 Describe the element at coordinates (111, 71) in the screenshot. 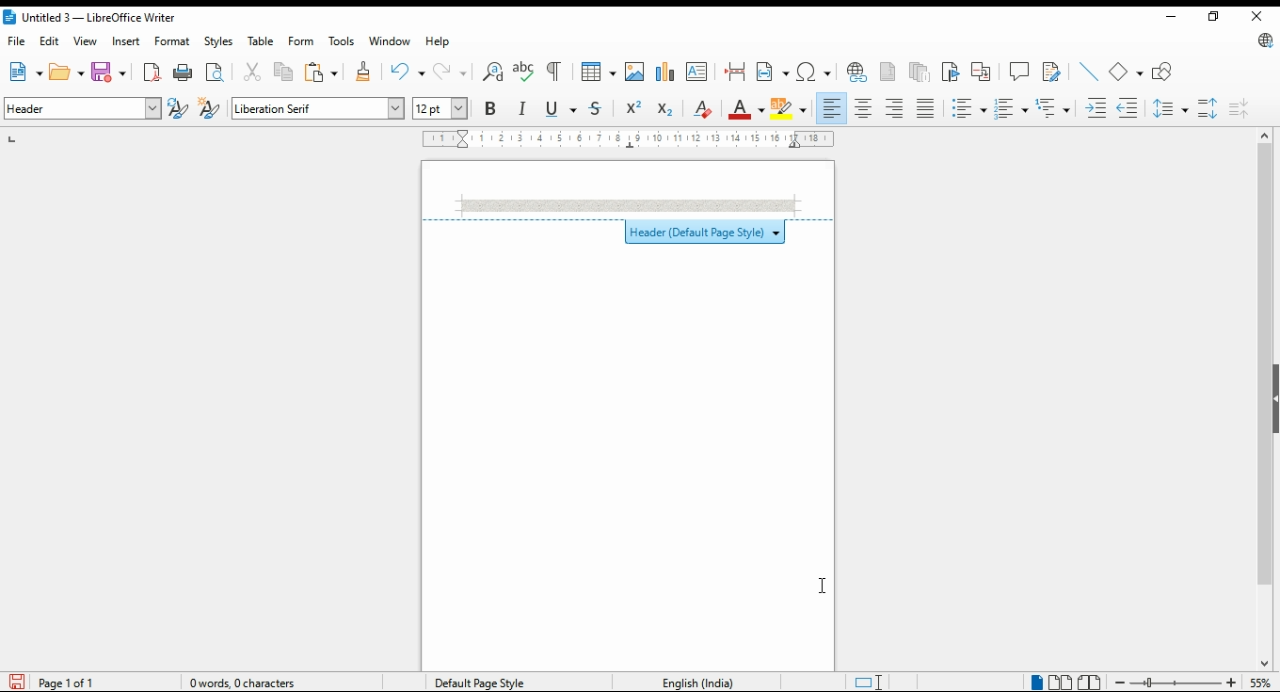

I see `ave` at that location.